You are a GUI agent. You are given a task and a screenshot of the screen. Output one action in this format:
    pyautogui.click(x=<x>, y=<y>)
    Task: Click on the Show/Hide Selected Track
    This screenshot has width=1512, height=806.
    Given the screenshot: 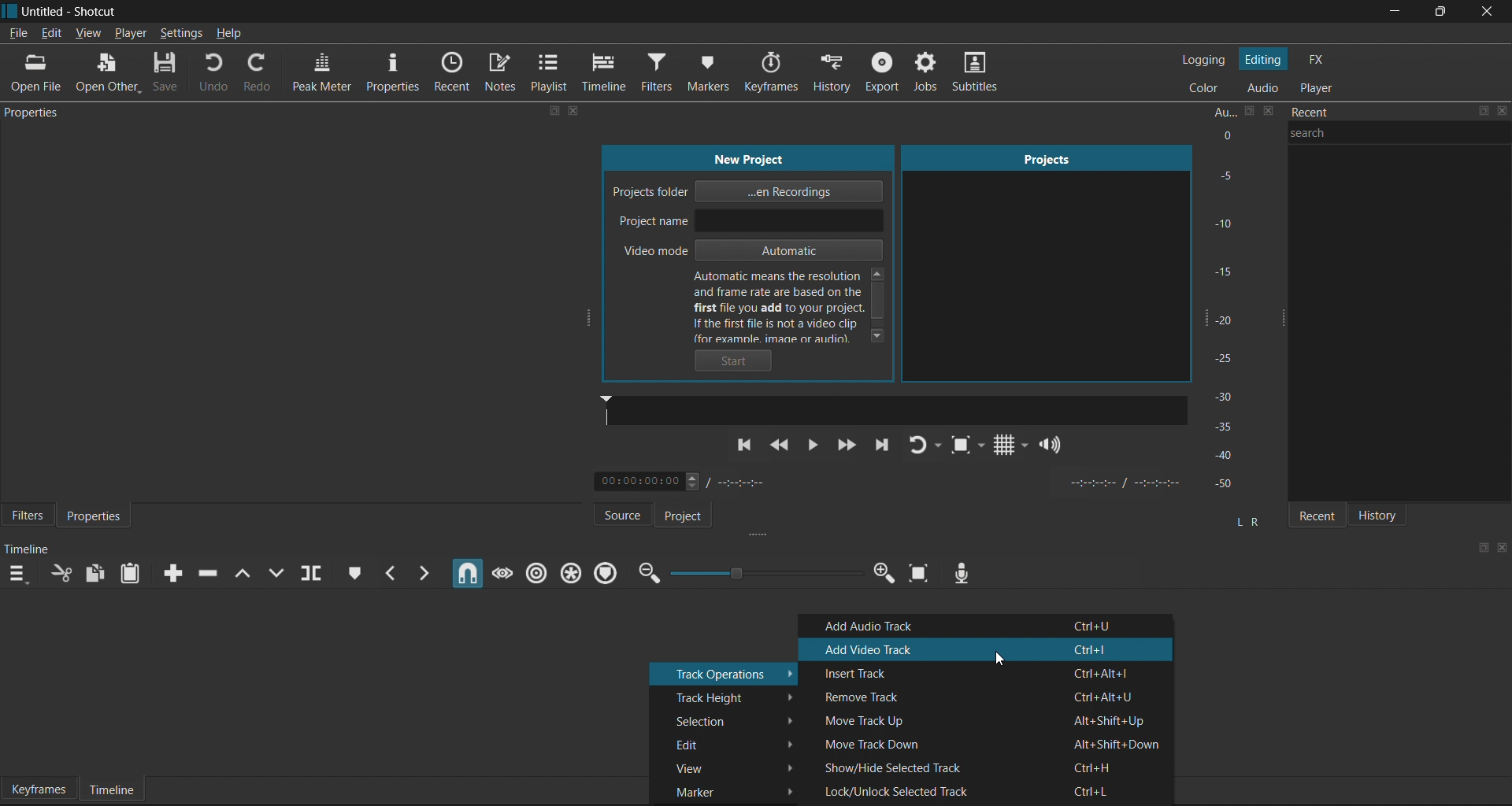 What is the action you would take?
    pyautogui.click(x=989, y=765)
    